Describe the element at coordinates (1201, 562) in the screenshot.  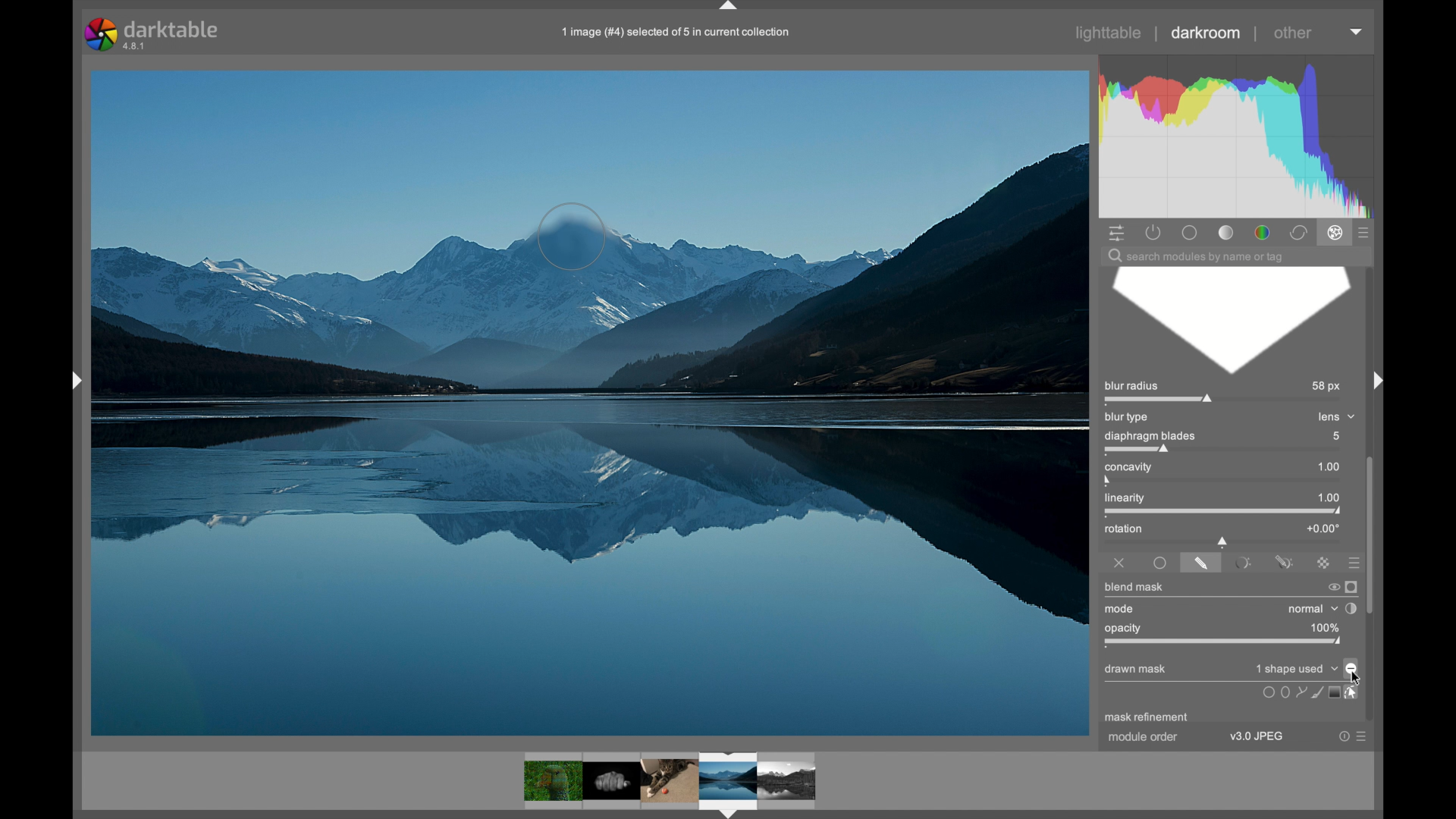
I see `drawnamsk` at that location.